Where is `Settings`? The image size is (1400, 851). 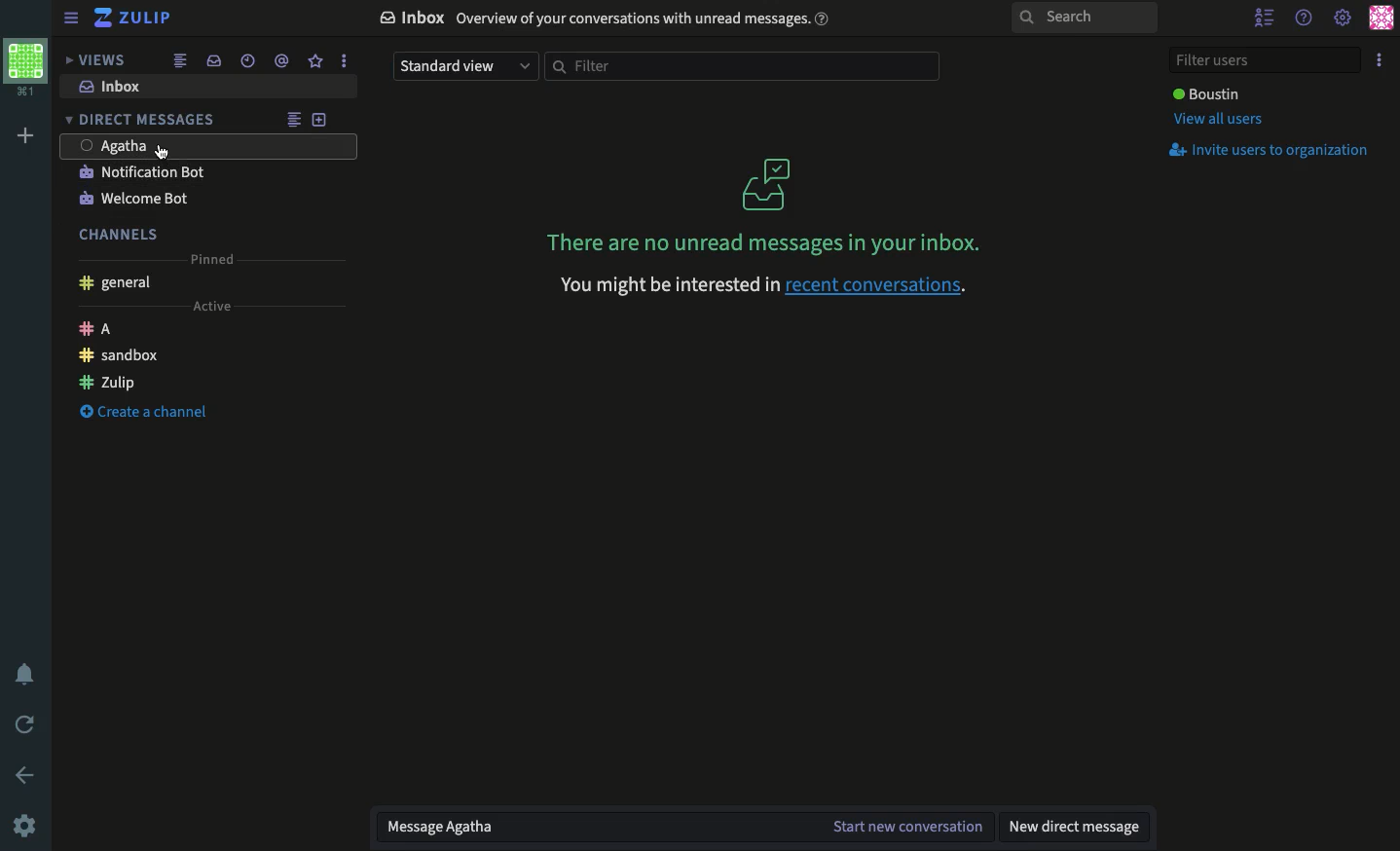 Settings is located at coordinates (26, 827).